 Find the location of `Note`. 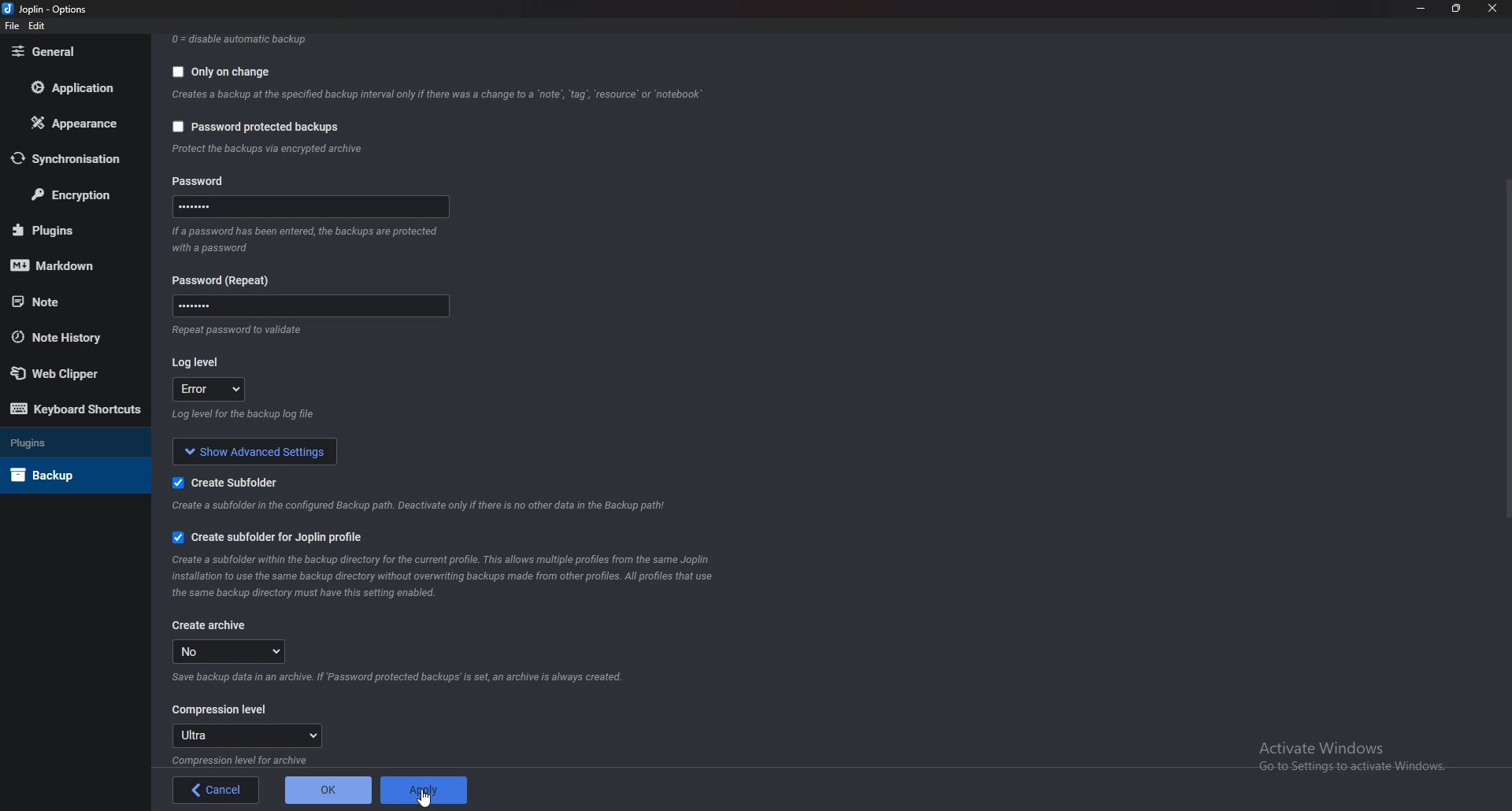

Note is located at coordinates (70, 300).